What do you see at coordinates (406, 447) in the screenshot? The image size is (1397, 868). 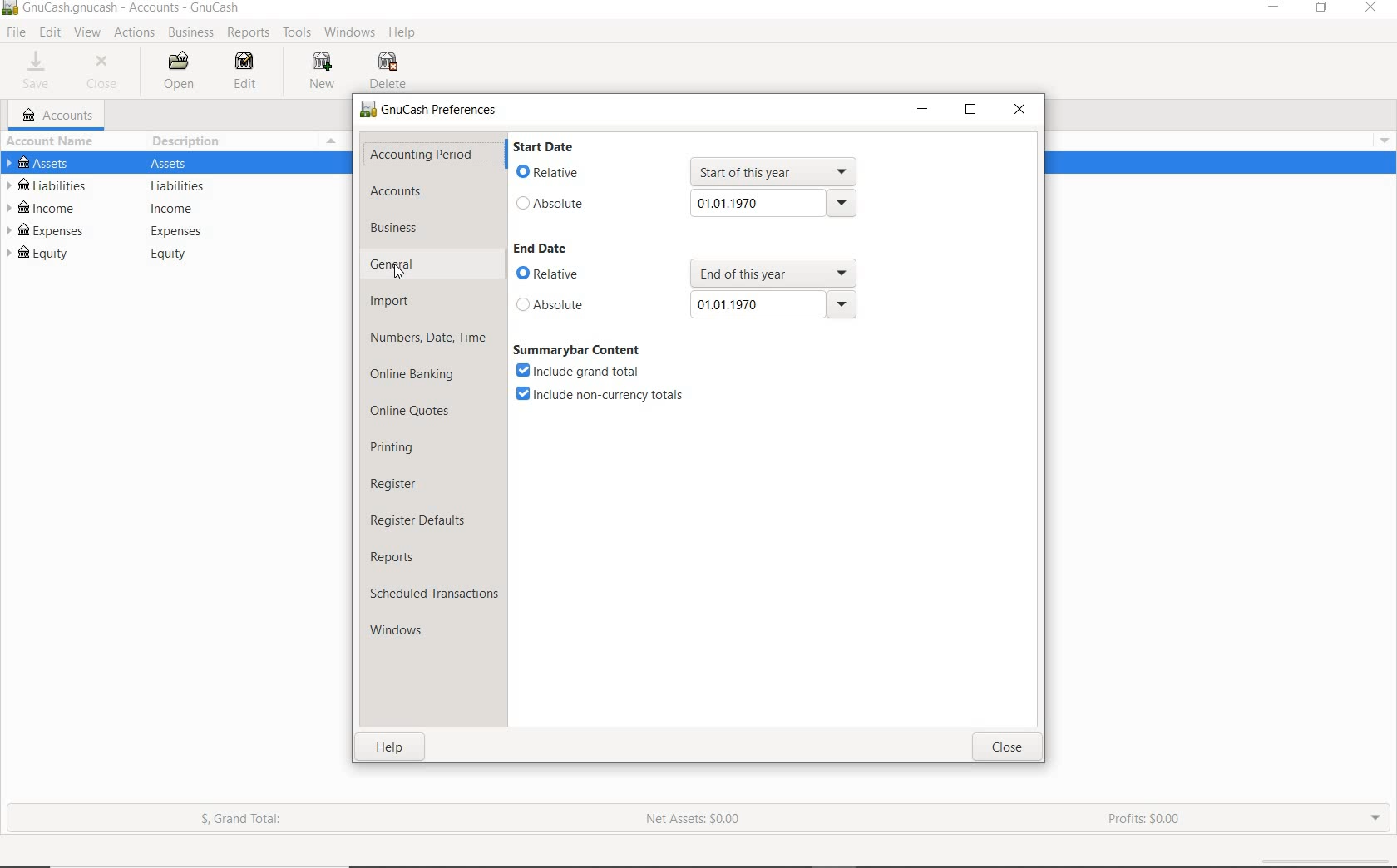 I see `PRINTING` at bounding box center [406, 447].